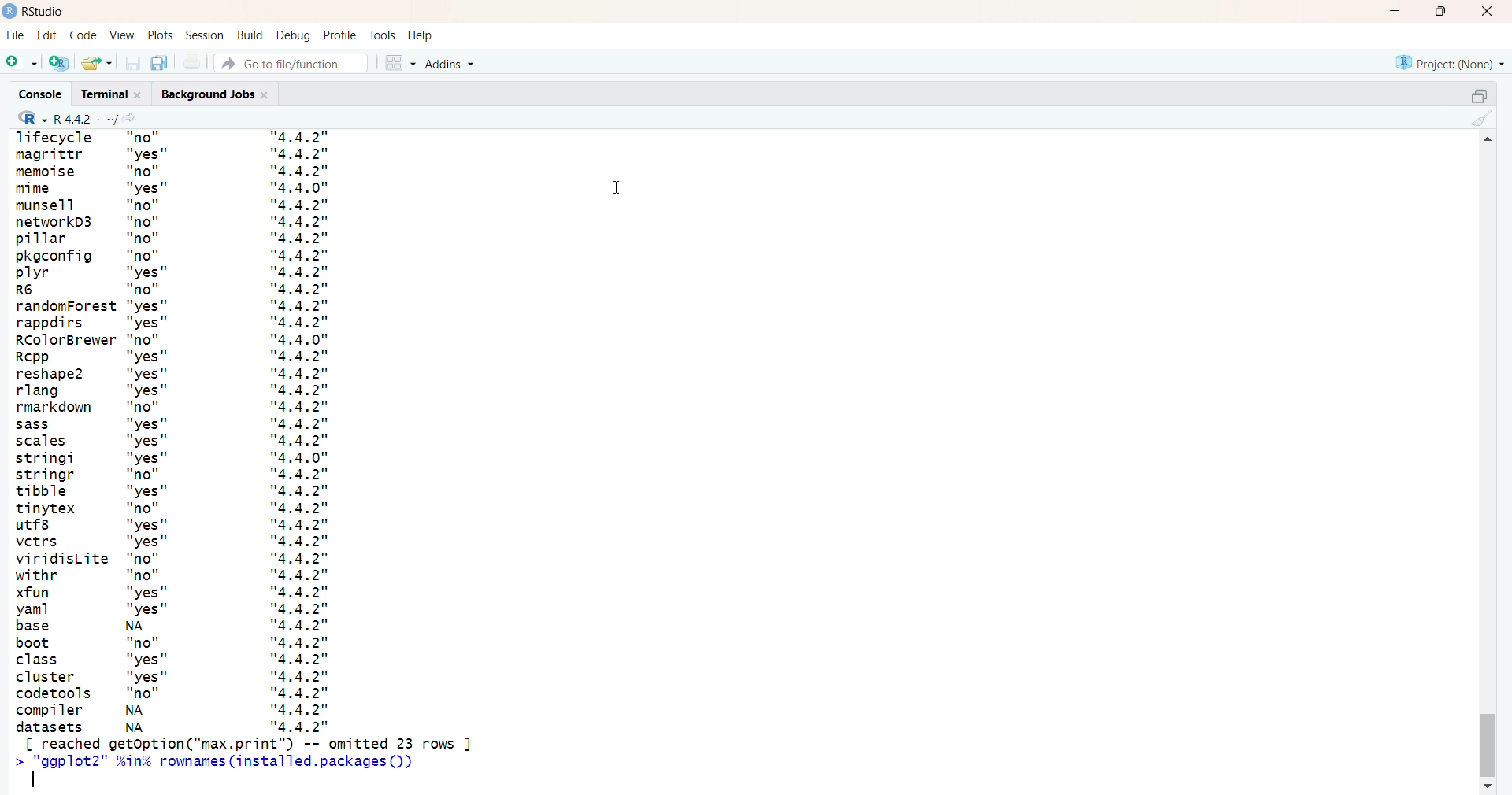 Image resolution: width=1512 pixels, height=795 pixels. I want to click on text cursor, so click(35, 778).